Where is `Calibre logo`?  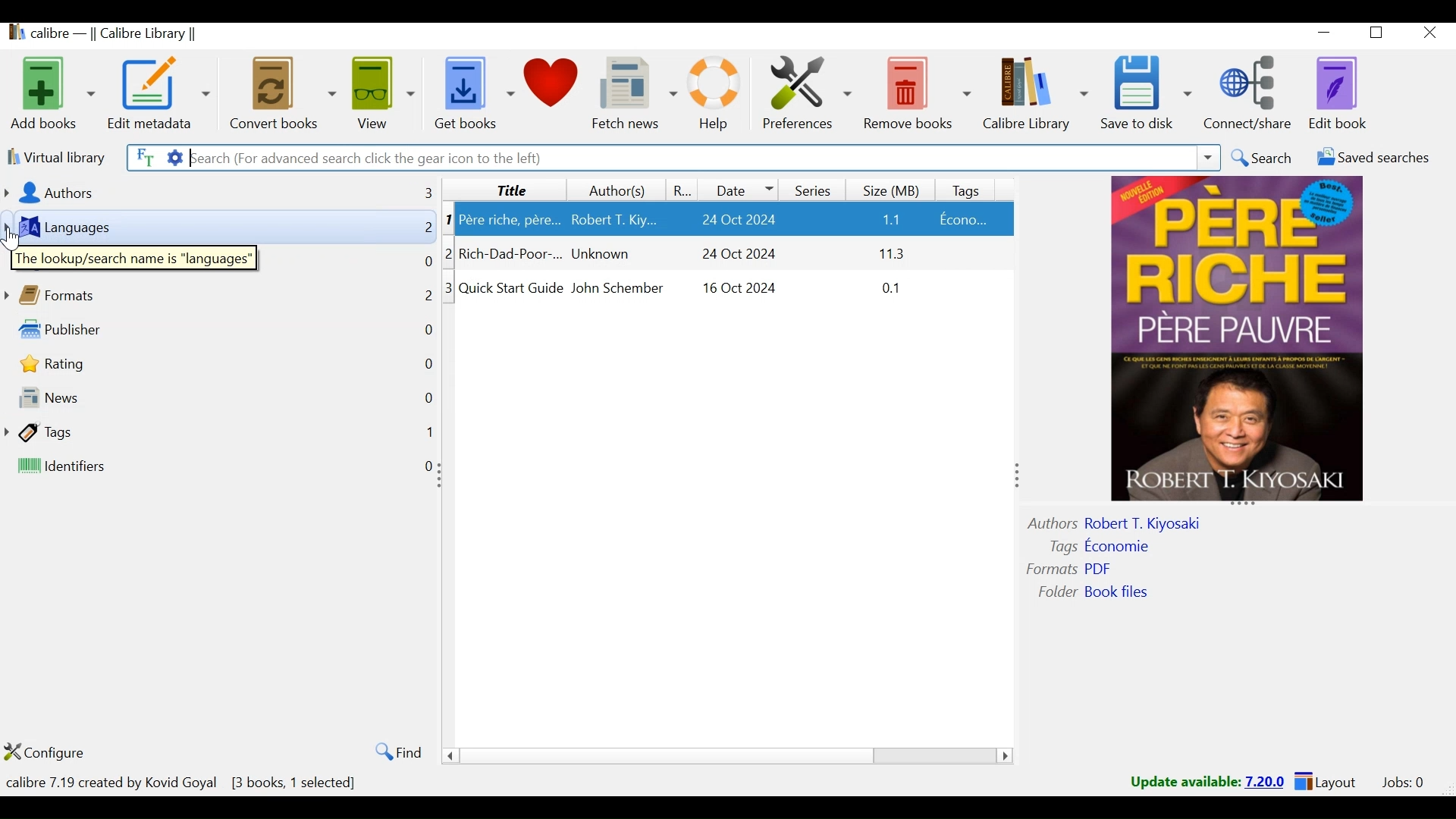 Calibre logo is located at coordinates (13, 35).